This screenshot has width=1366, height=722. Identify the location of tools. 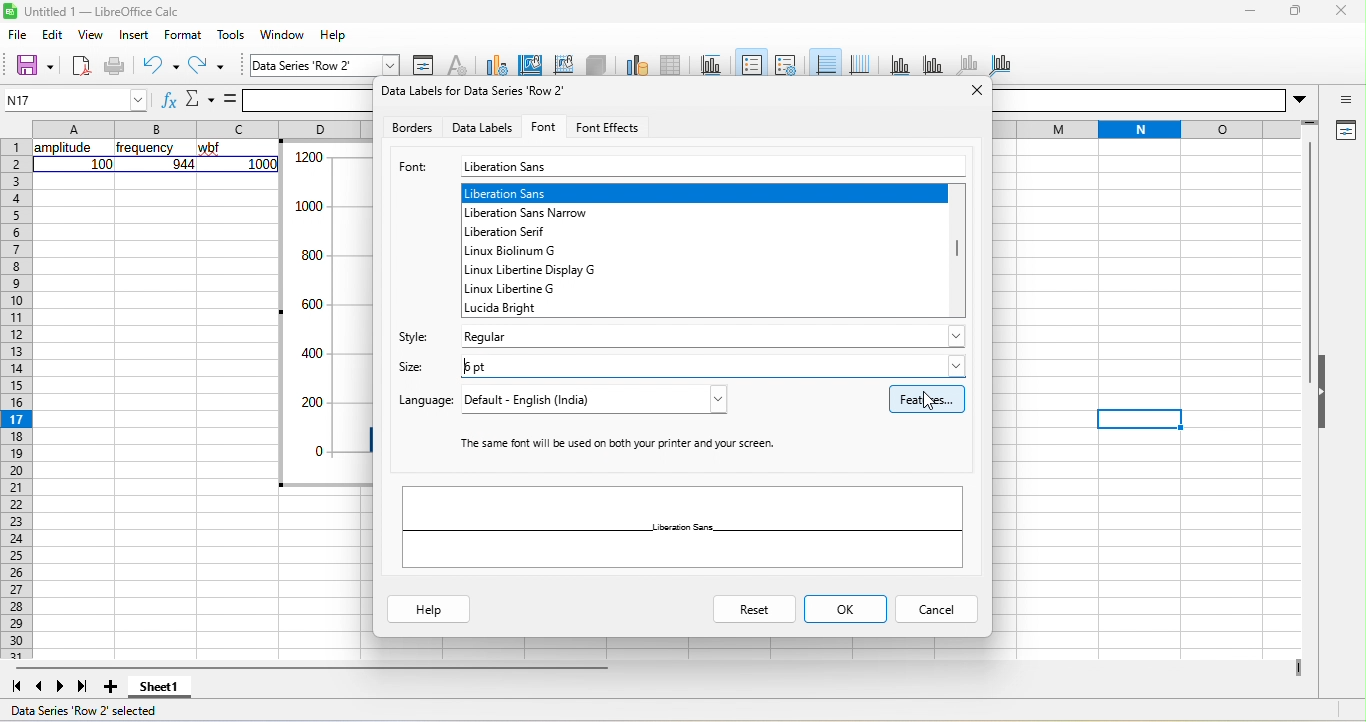
(230, 35).